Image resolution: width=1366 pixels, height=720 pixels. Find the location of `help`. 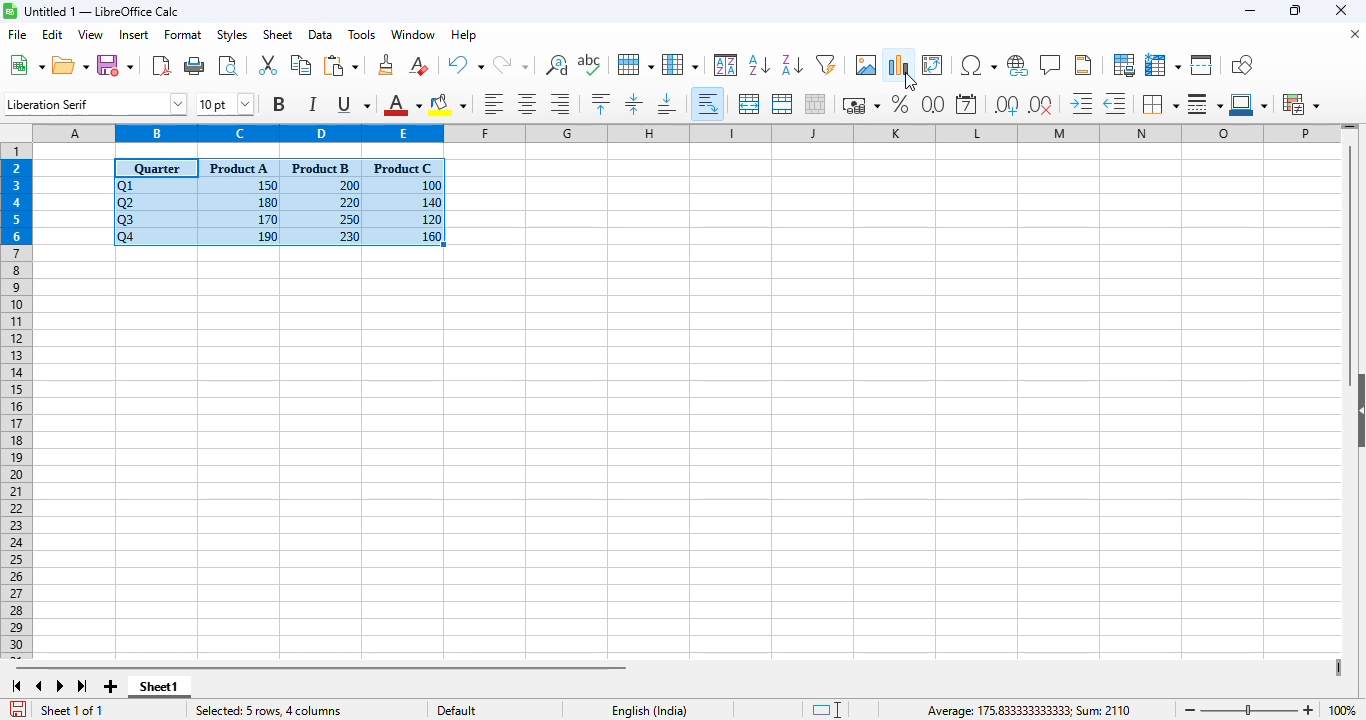

help is located at coordinates (464, 35).